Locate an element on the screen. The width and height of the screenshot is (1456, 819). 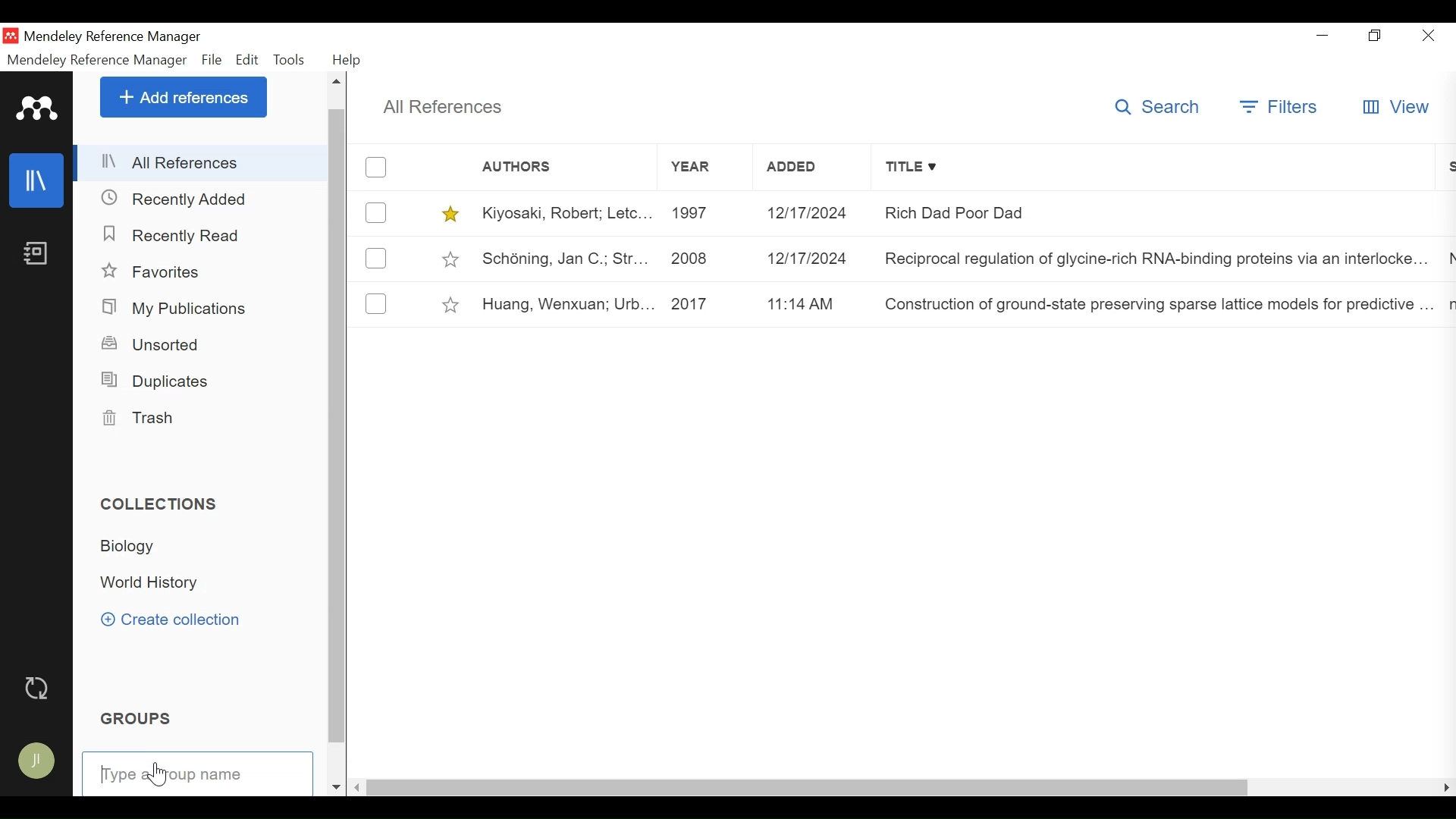
Reciprocal regulation of glycine-rich RNA-binding proteins via an interlocked.. is located at coordinates (1159, 257).